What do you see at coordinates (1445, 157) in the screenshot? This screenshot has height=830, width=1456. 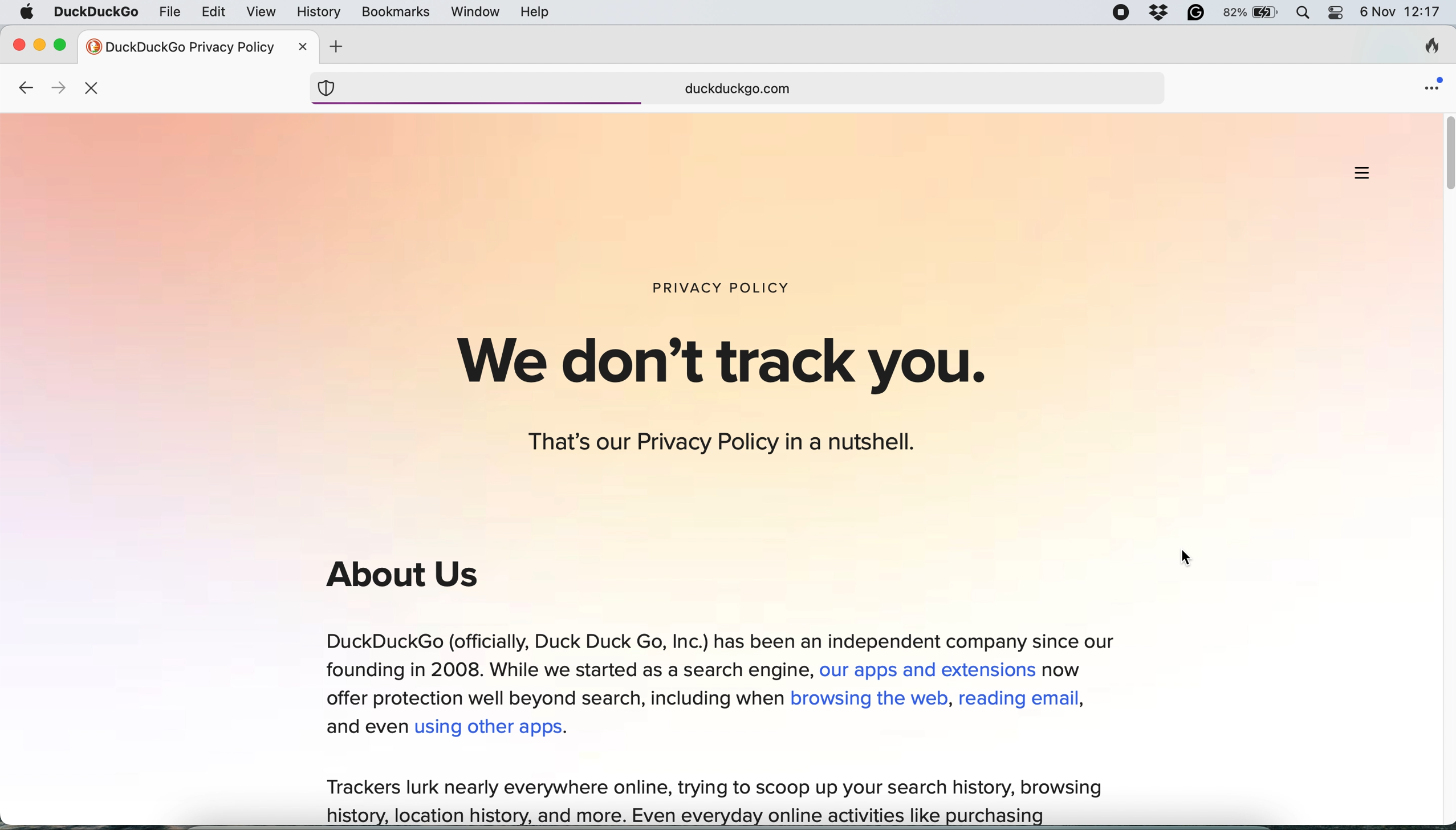 I see `vertical scroll bar` at bounding box center [1445, 157].